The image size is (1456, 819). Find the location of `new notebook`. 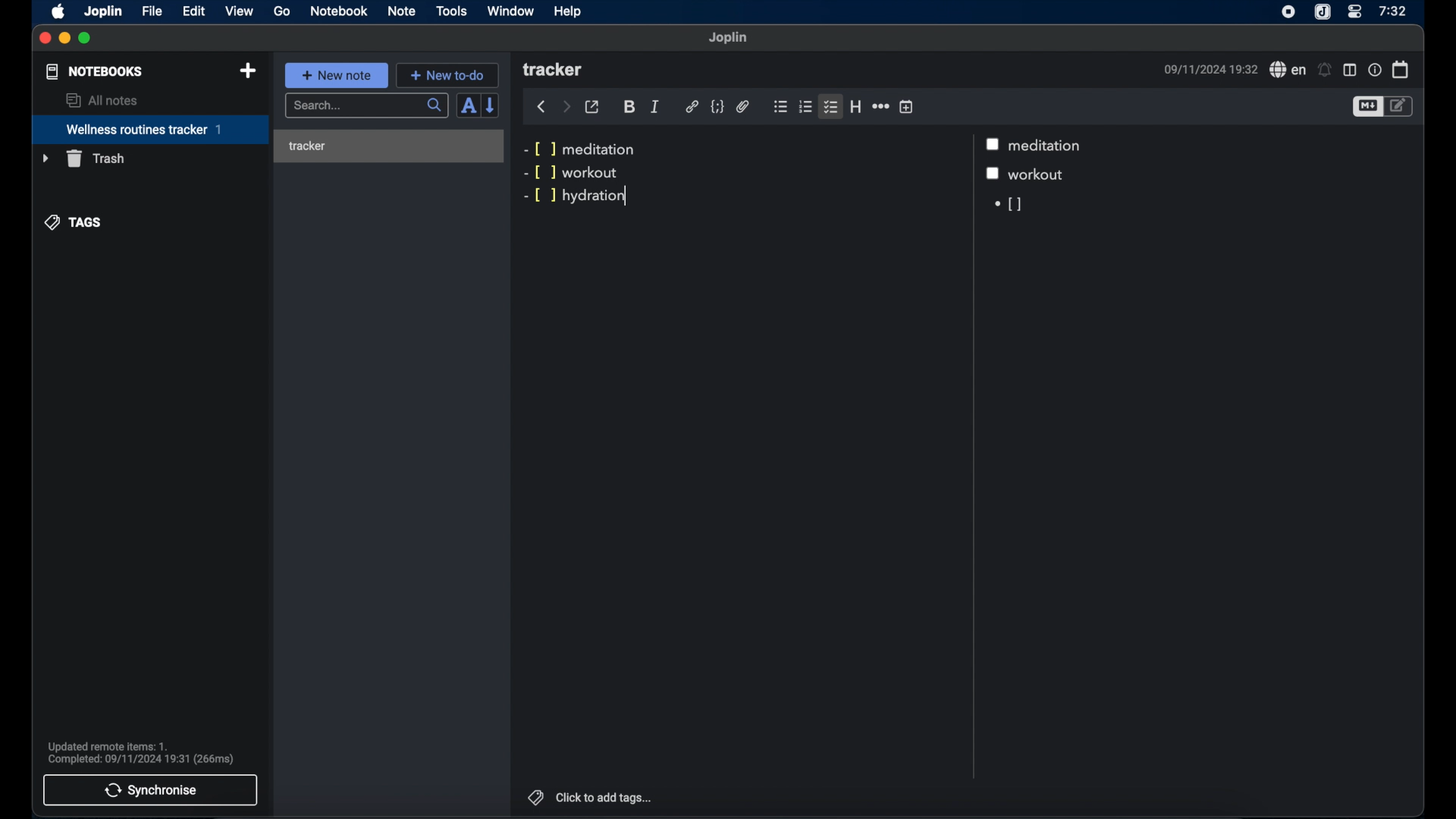

new notebook is located at coordinates (249, 71).